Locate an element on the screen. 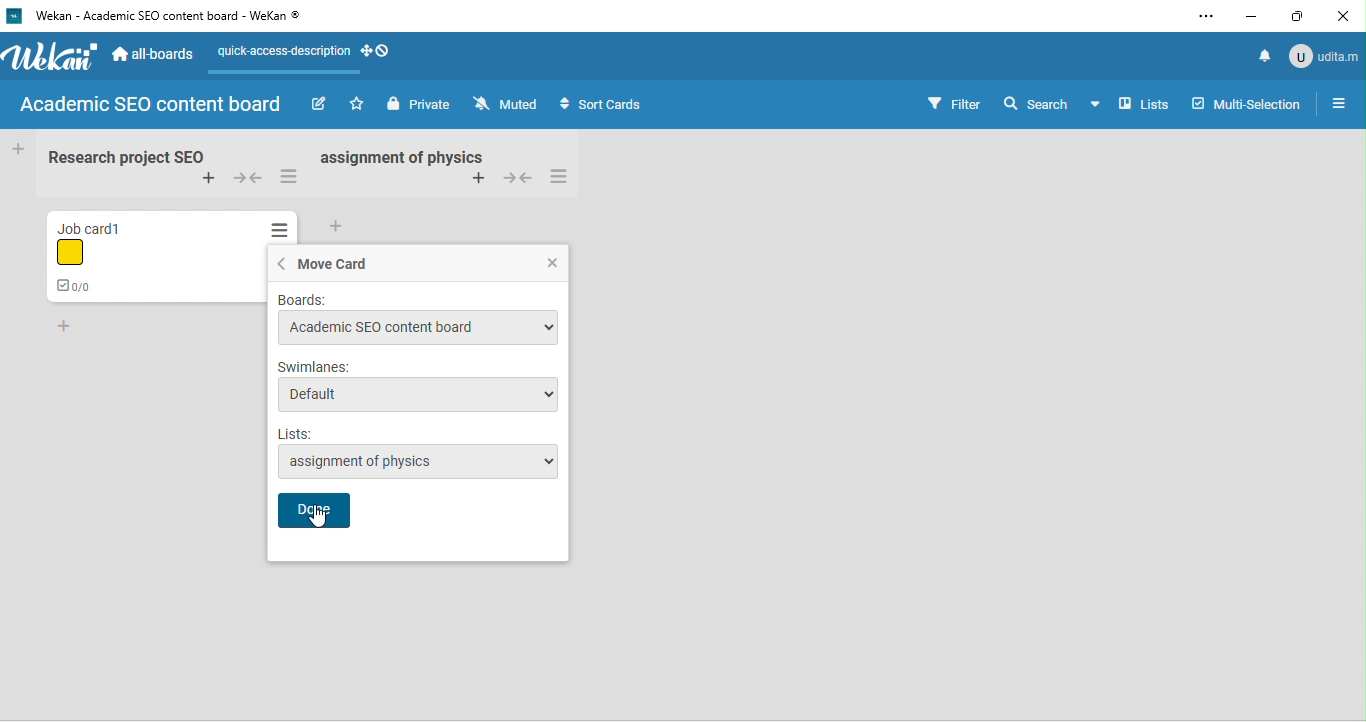  minimize is located at coordinates (1258, 15).